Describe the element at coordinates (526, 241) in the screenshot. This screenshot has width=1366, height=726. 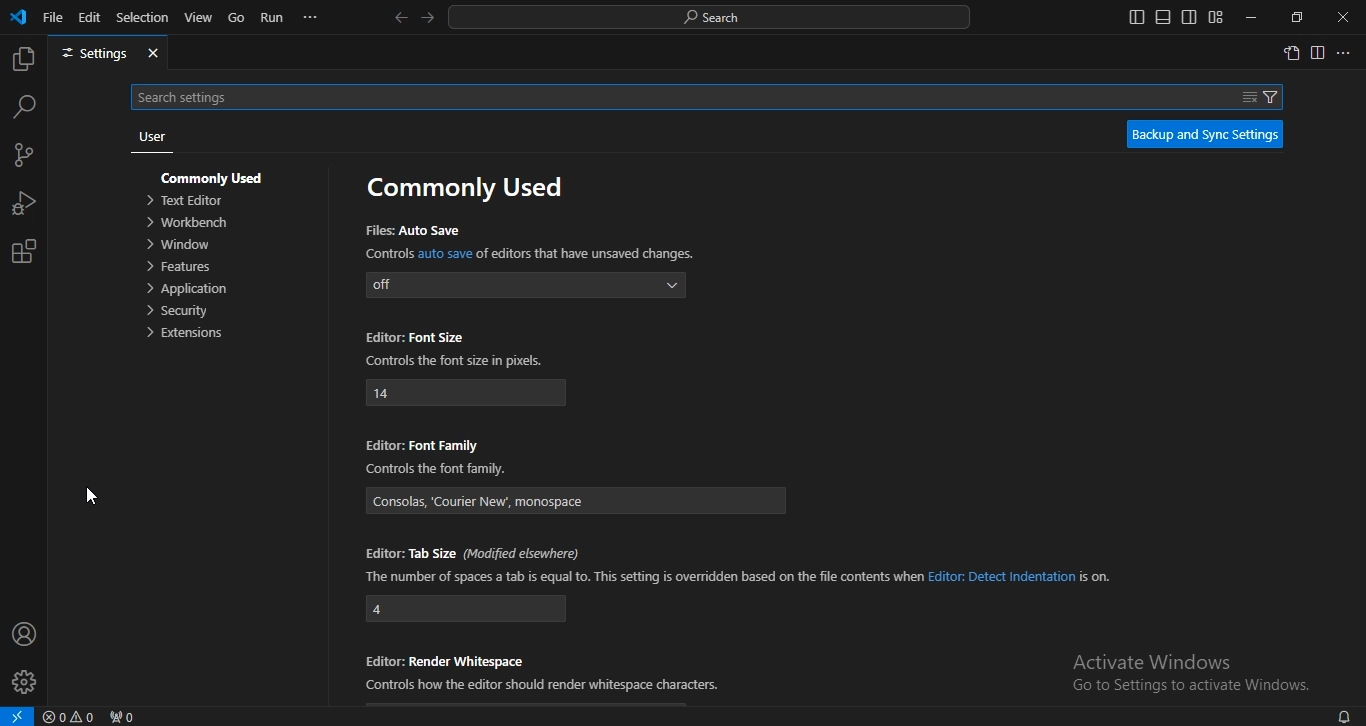
I see `Files: Auto Save
Controls auto save of editors that have unsaved changes.` at that location.